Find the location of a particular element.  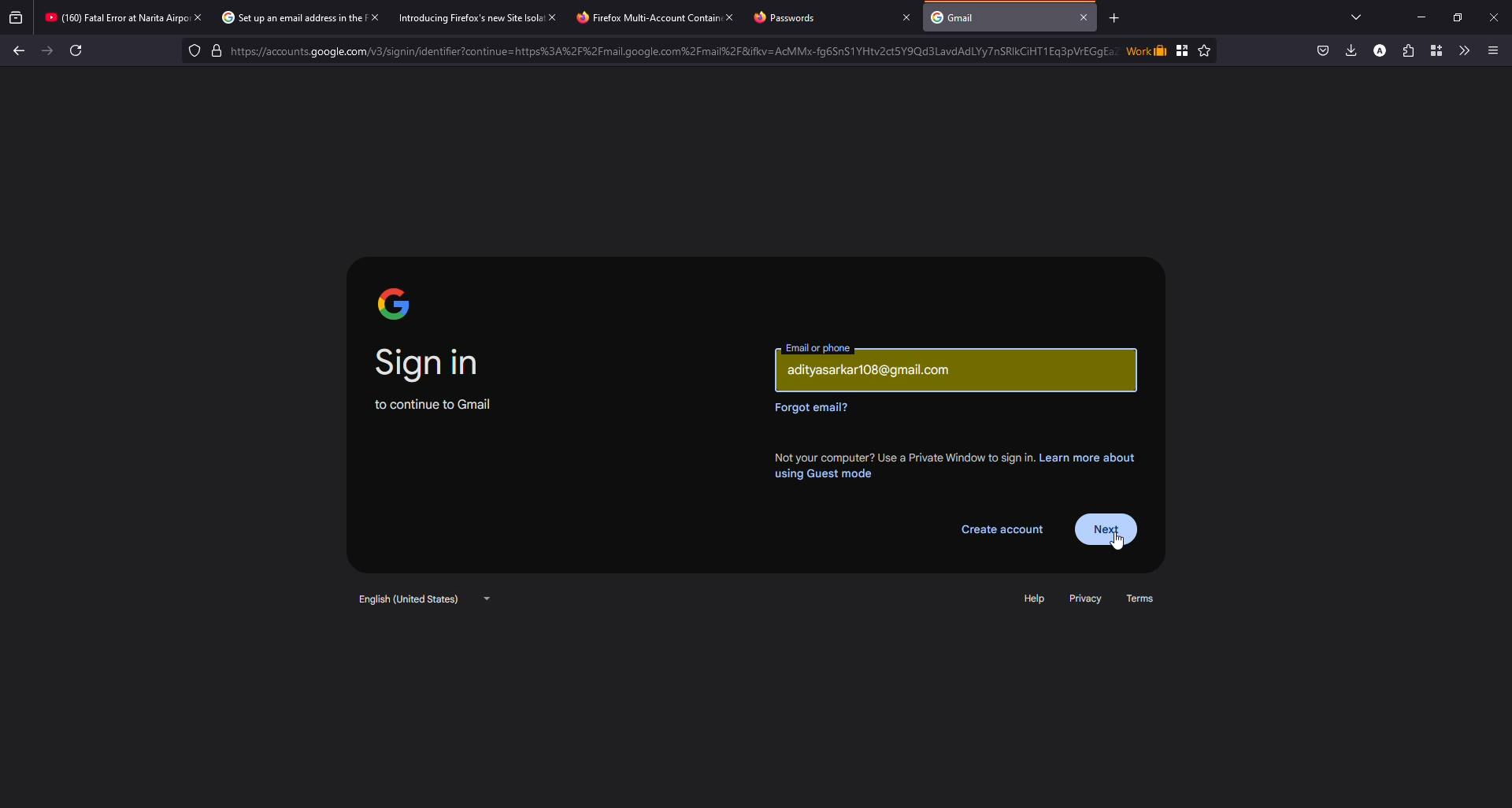

Refresh is located at coordinates (76, 49).